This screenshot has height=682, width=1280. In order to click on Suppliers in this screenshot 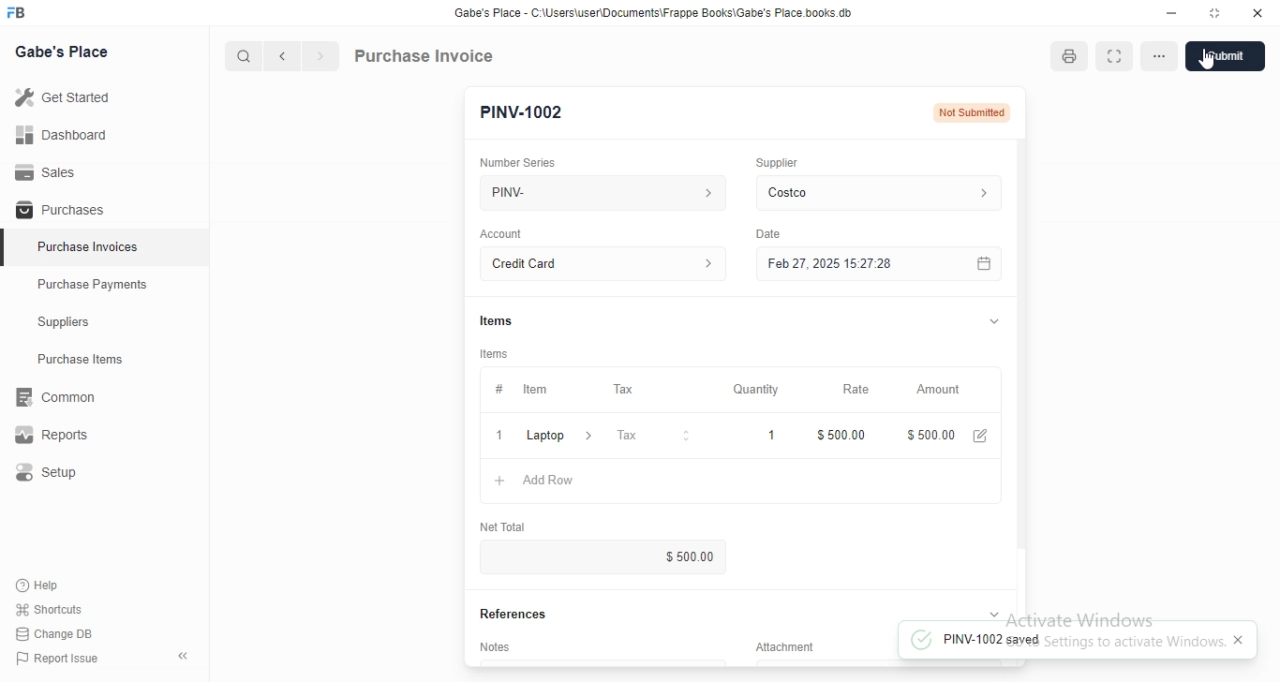, I will do `click(104, 321)`.